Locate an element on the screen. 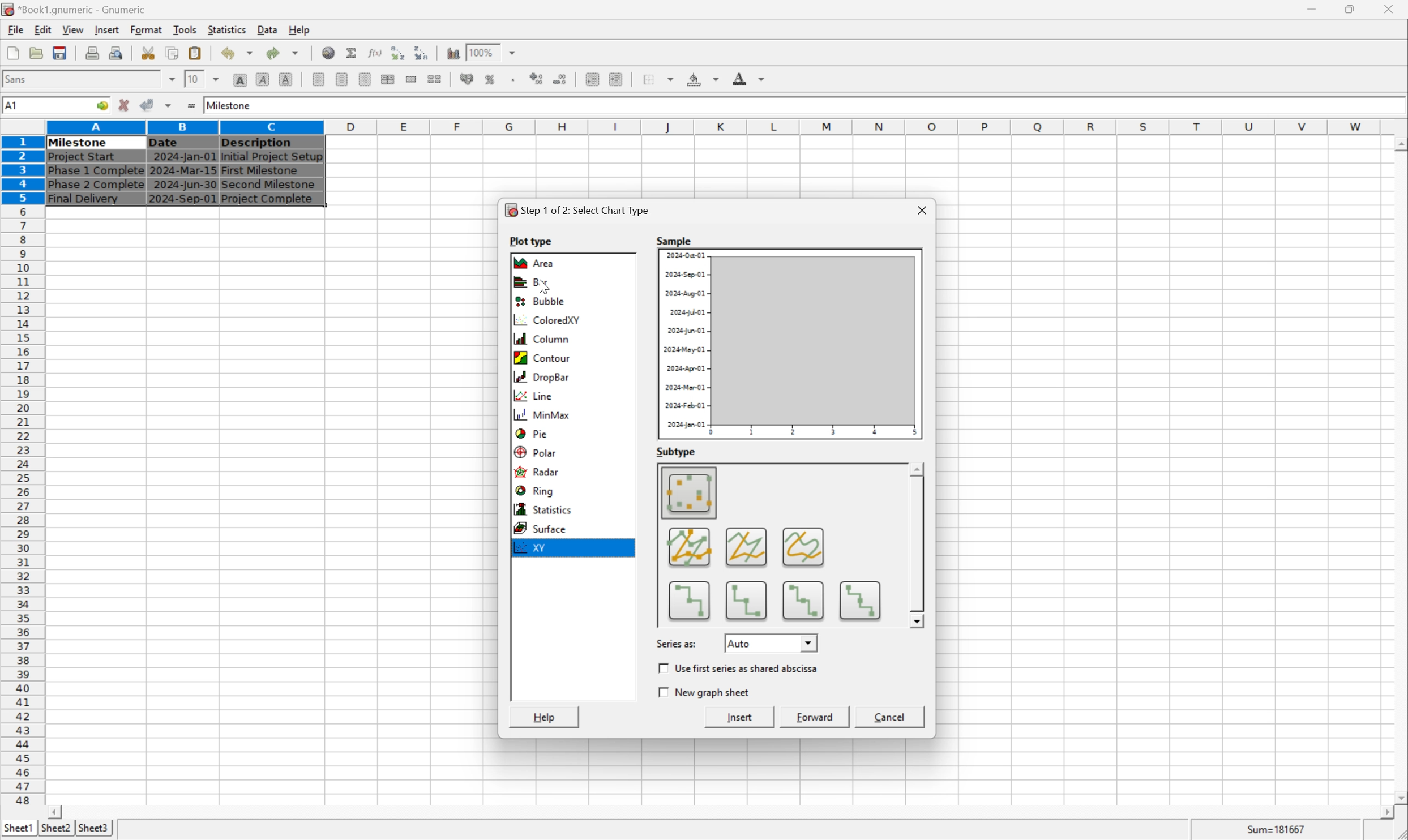  data is located at coordinates (267, 27).